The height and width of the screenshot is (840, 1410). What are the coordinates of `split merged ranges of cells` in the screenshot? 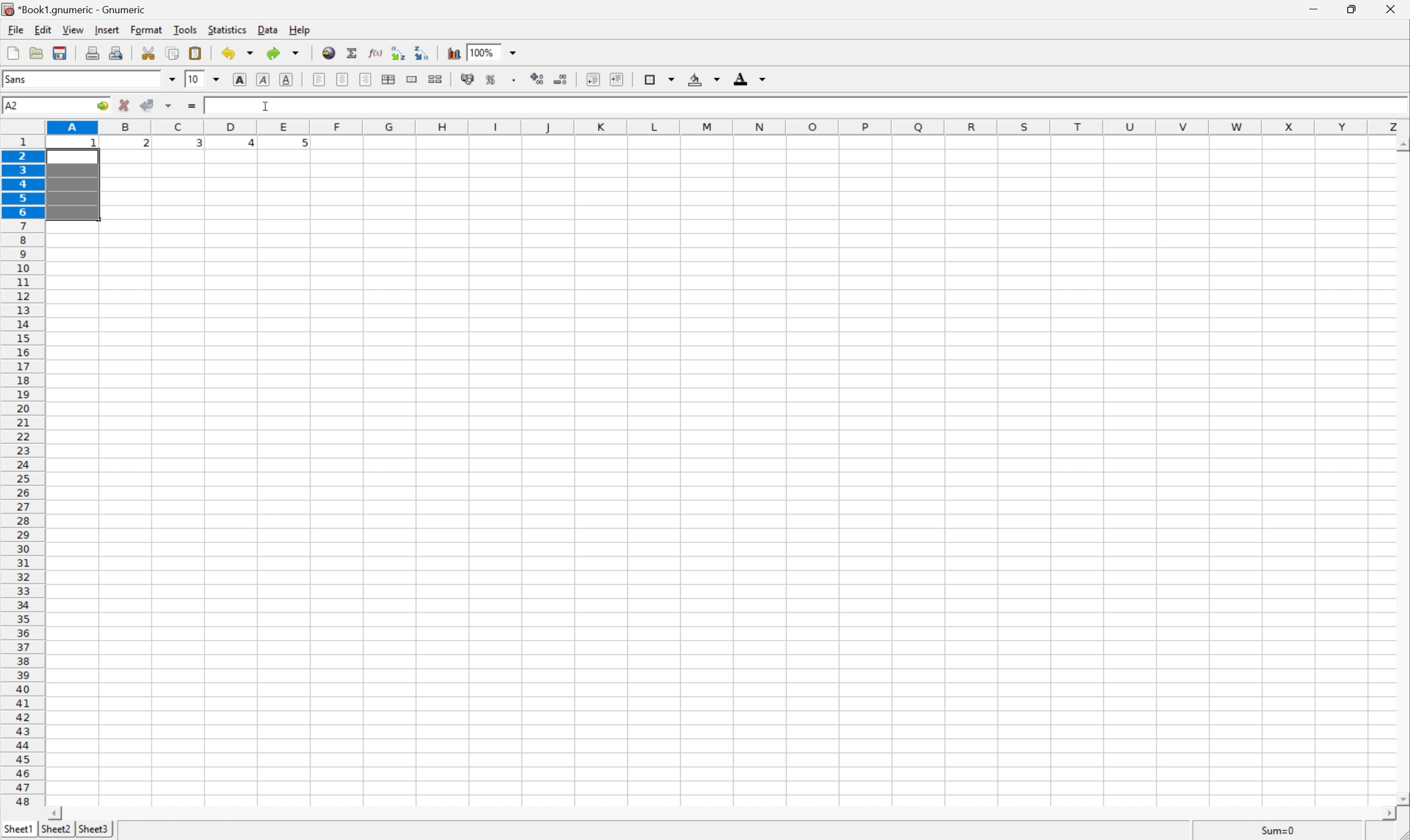 It's located at (437, 78).